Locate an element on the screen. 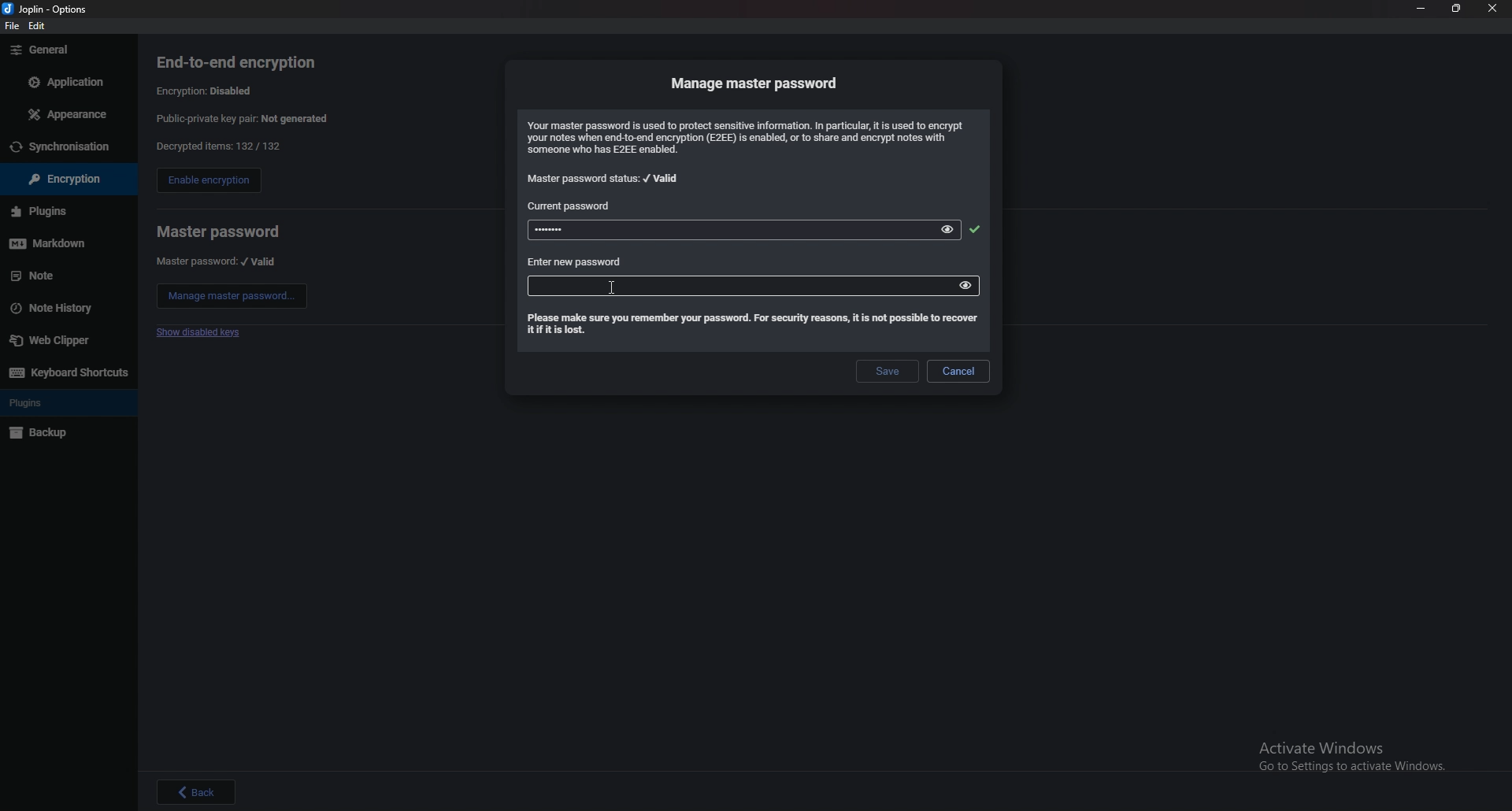  show disabled keys is located at coordinates (202, 333).